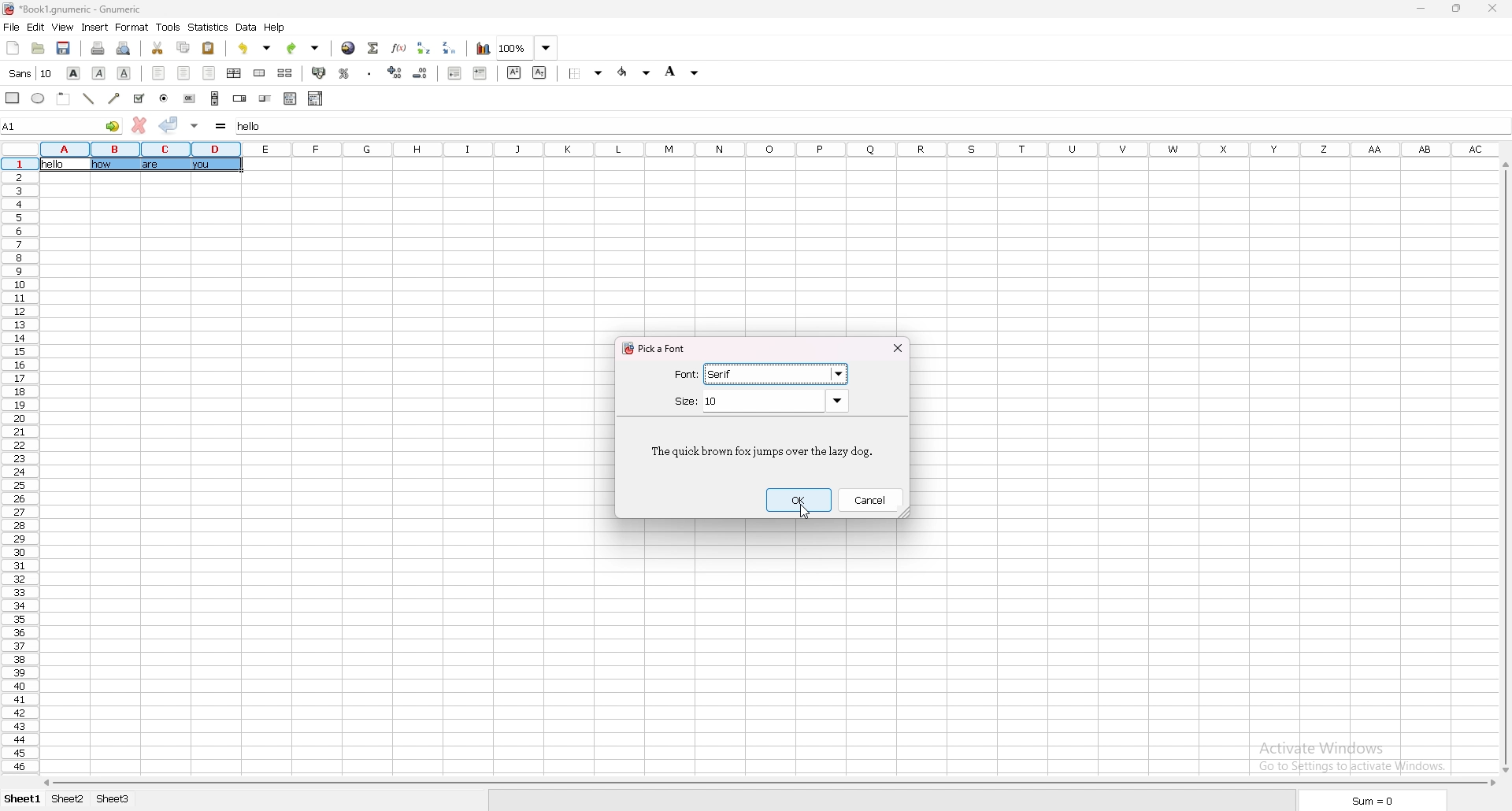  Describe the element at coordinates (221, 125) in the screenshot. I see `formula` at that location.